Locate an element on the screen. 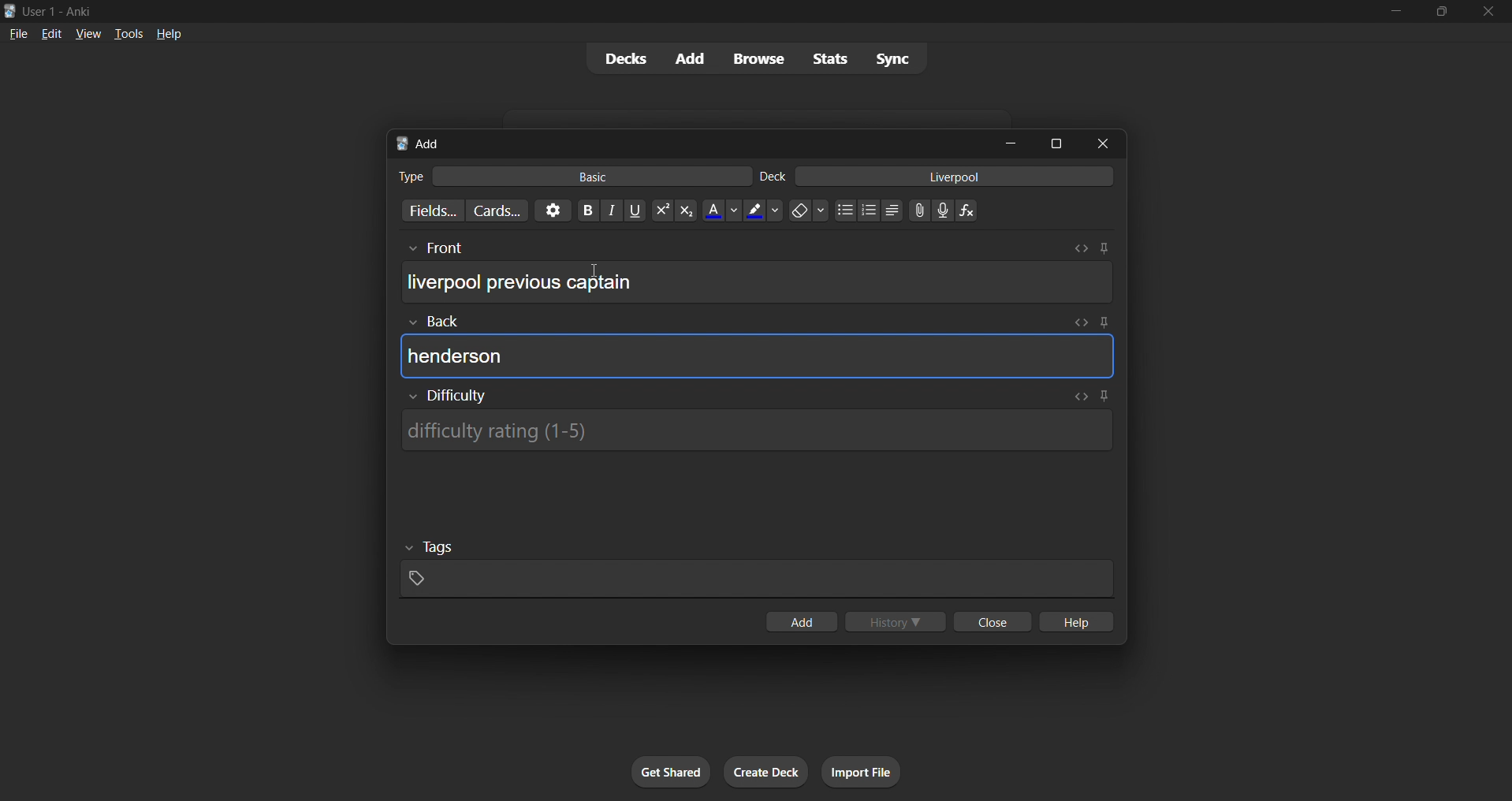  text highlight color is located at coordinates (763, 210).